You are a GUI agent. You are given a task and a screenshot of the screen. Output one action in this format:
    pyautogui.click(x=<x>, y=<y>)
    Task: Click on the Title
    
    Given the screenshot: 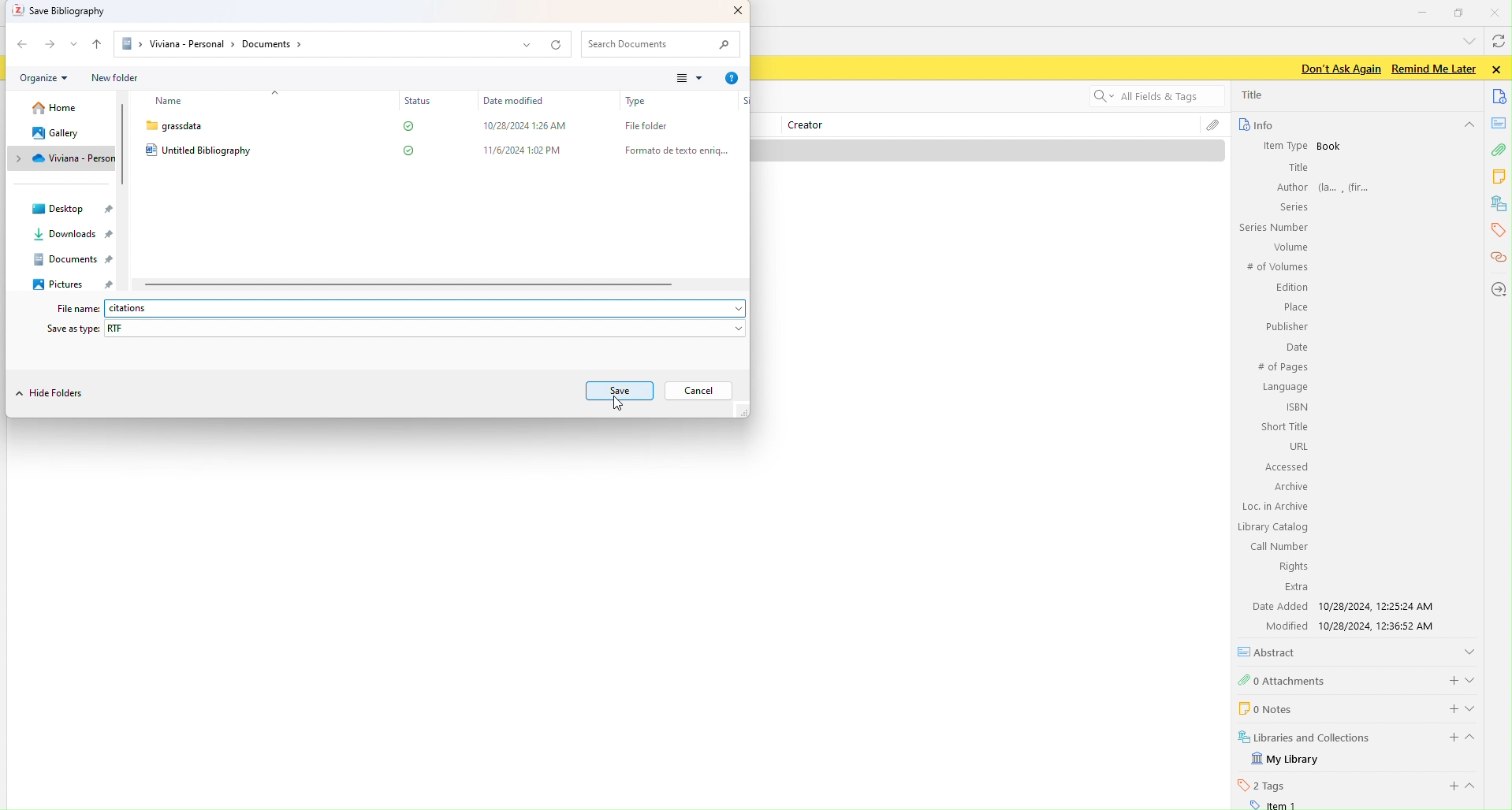 What is the action you would take?
    pyautogui.click(x=1297, y=168)
    